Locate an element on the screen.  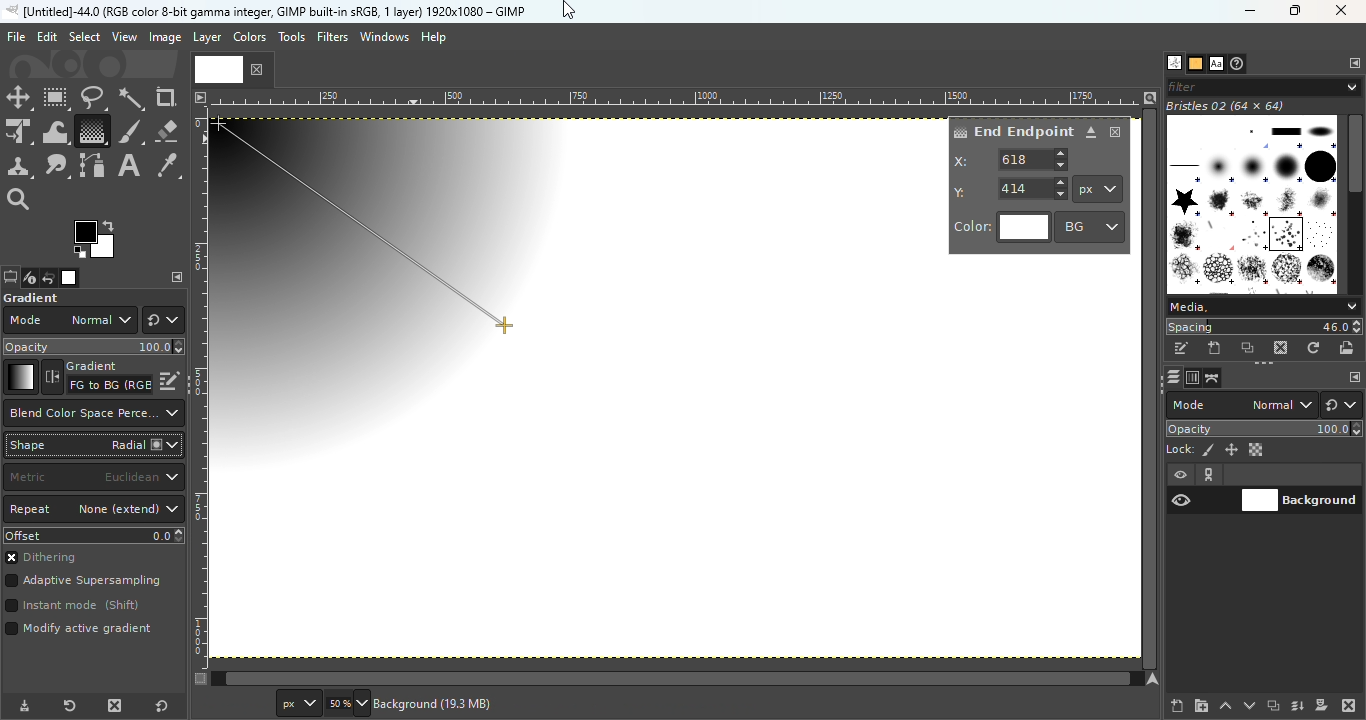
The active background color is located at coordinates (98, 240).